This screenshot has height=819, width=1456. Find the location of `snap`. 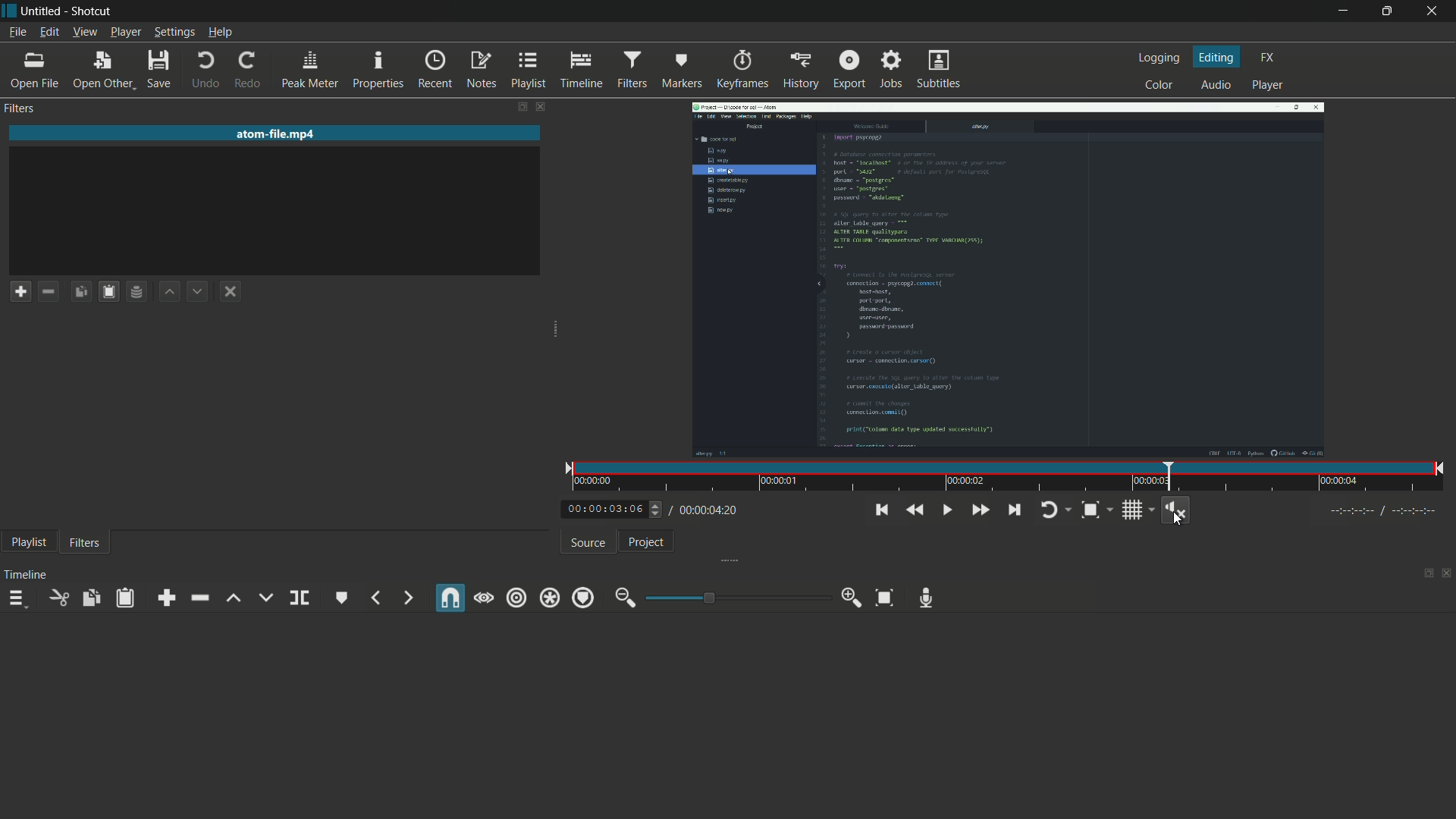

snap is located at coordinates (449, 598).